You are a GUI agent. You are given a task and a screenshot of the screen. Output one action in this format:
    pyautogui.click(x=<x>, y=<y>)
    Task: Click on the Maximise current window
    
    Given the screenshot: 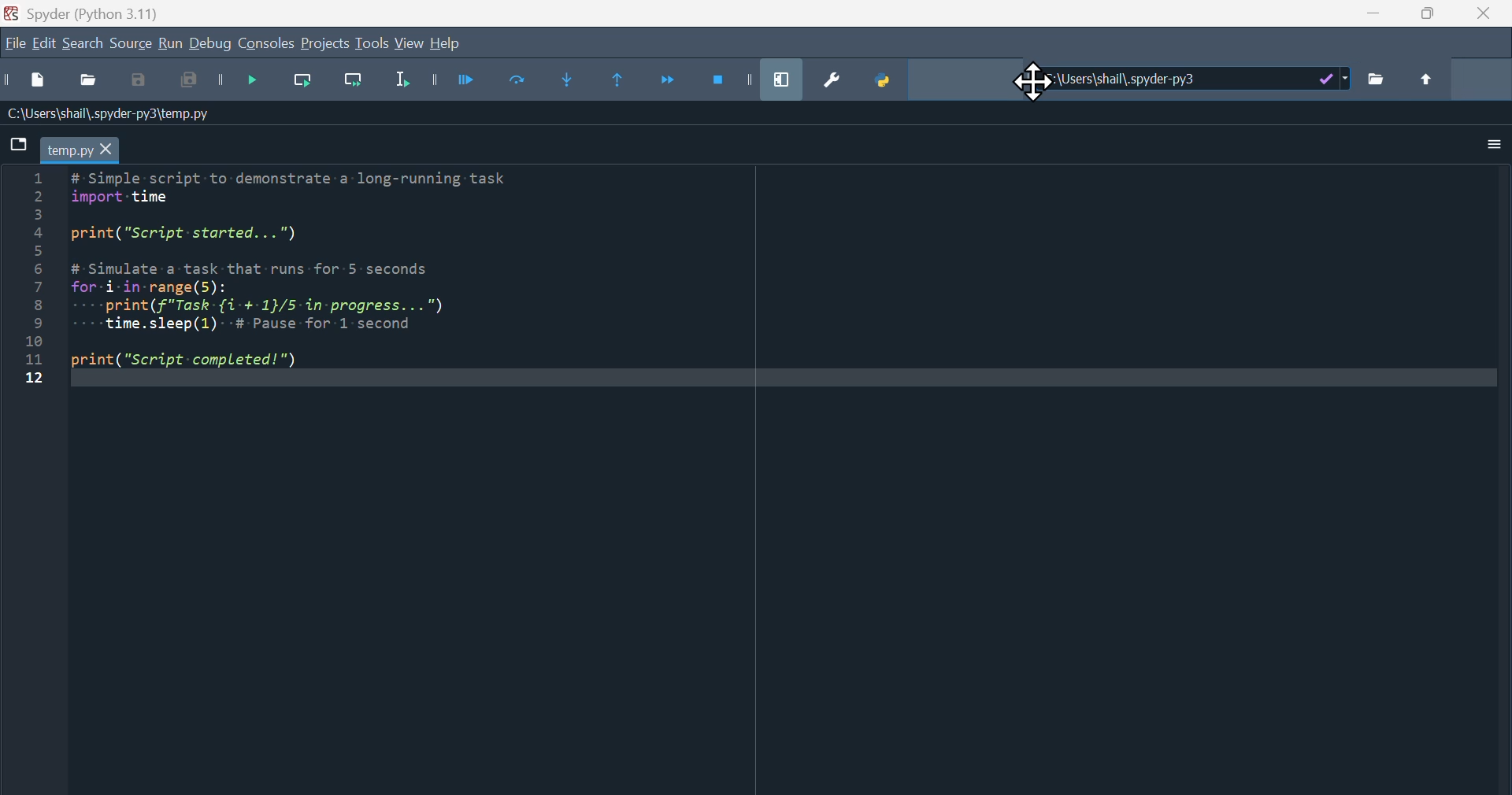 What is the action you would take?
    pyautogui.click(x=786, y=79)
    